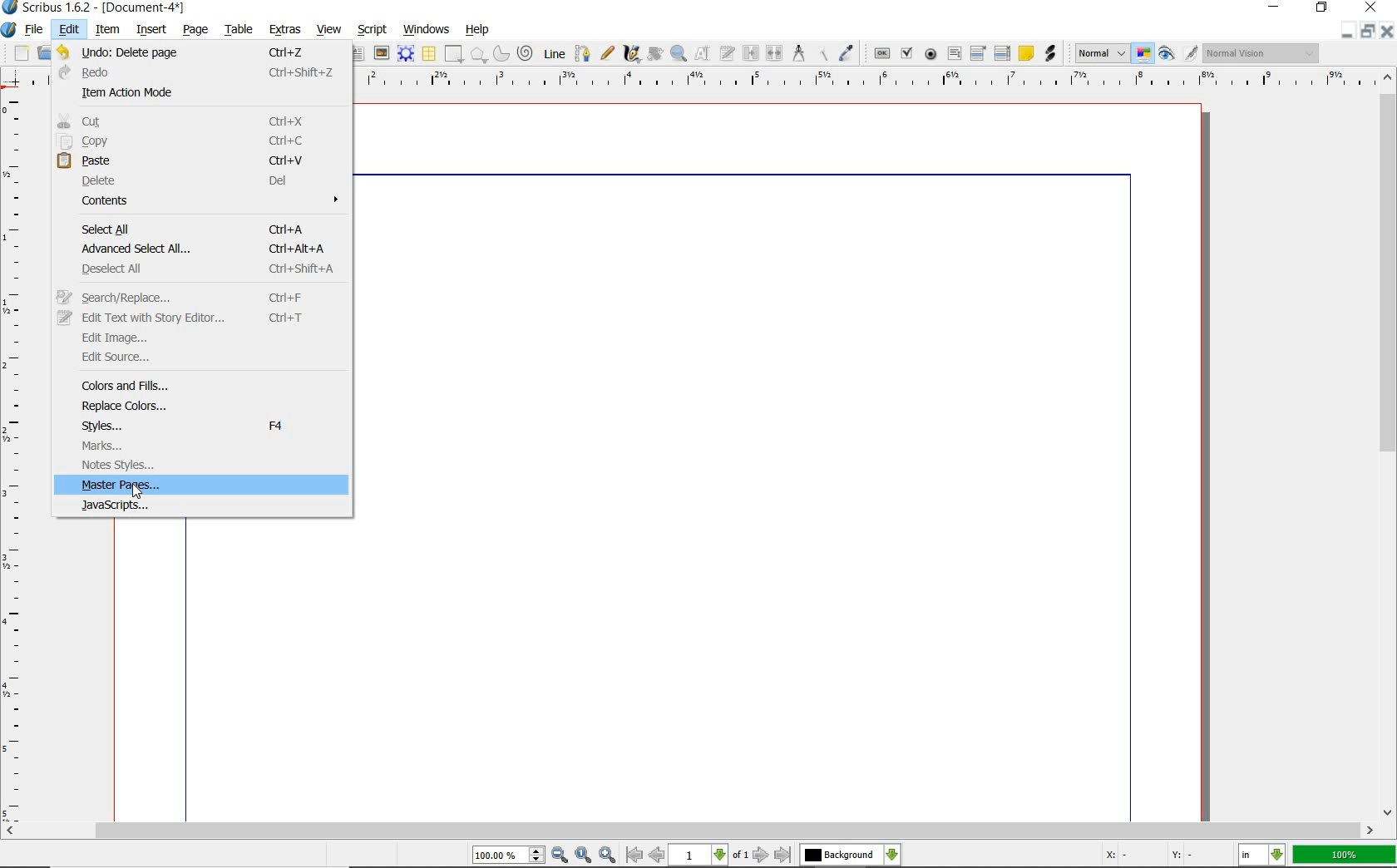  I want to click on link annotation, so click(1050, 52).